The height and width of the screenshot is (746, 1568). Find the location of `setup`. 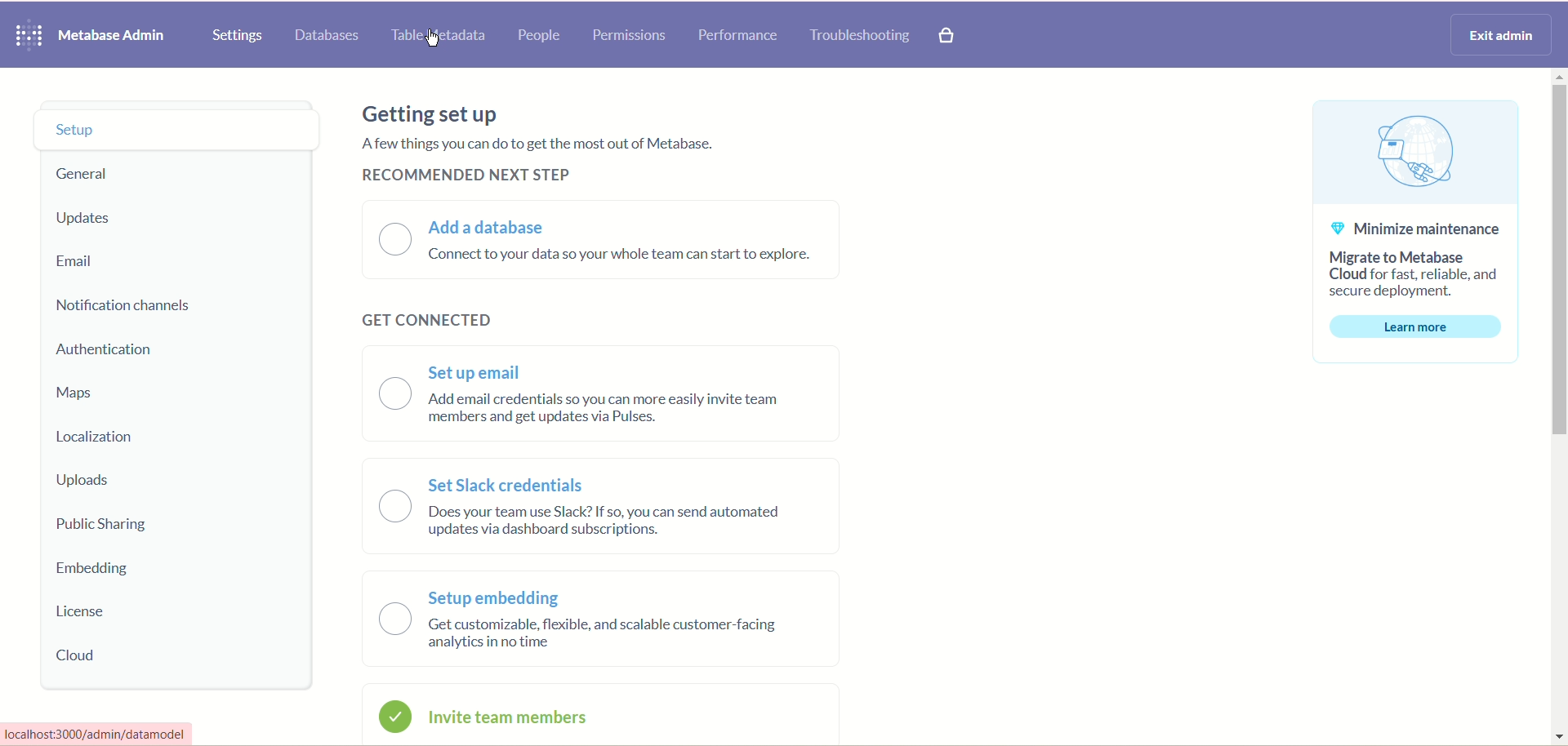

setup is located at coordinates (179, 132).